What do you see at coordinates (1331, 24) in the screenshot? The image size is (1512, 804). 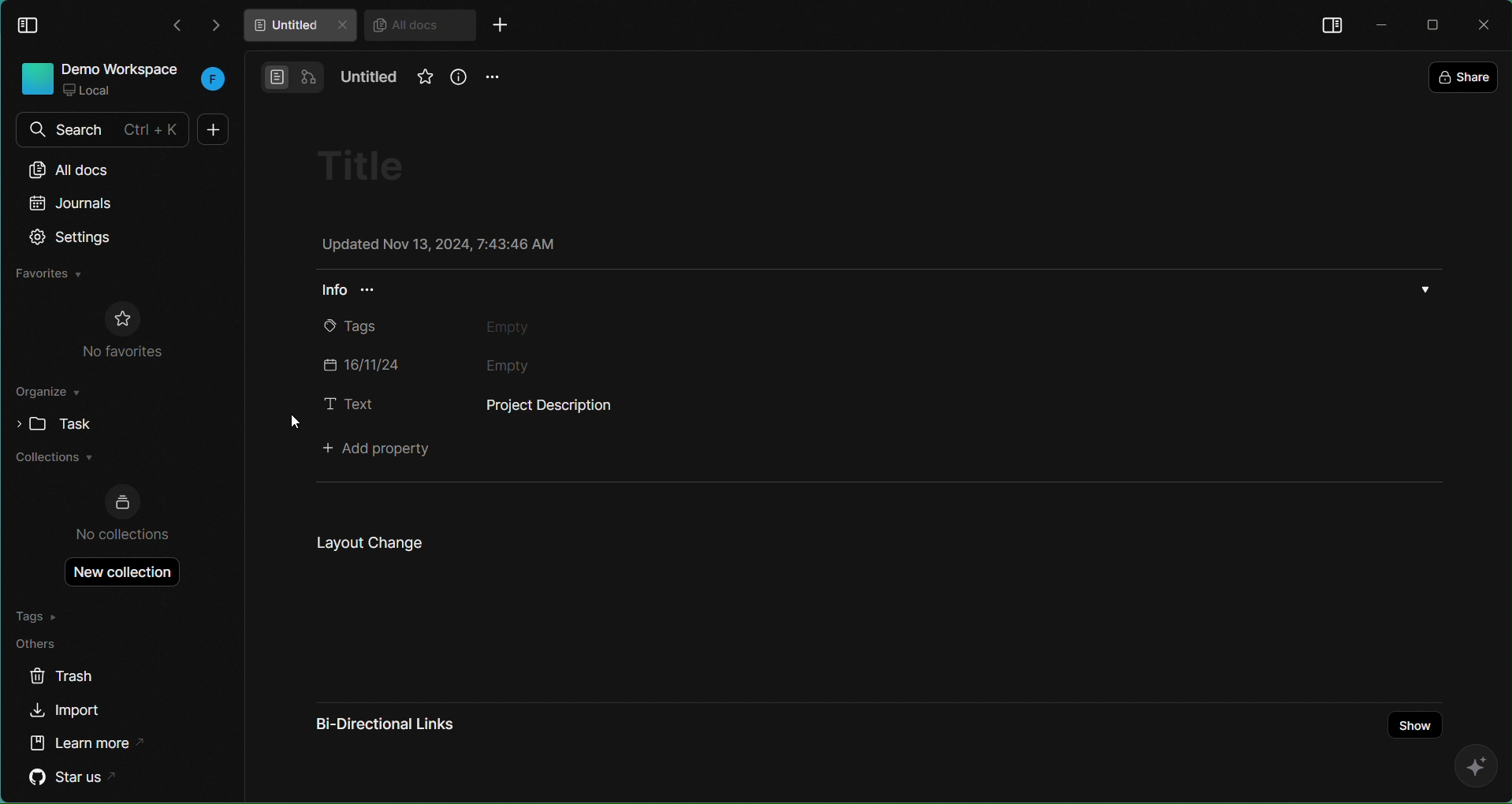 I see `display` at bounding box center [1331, 24].